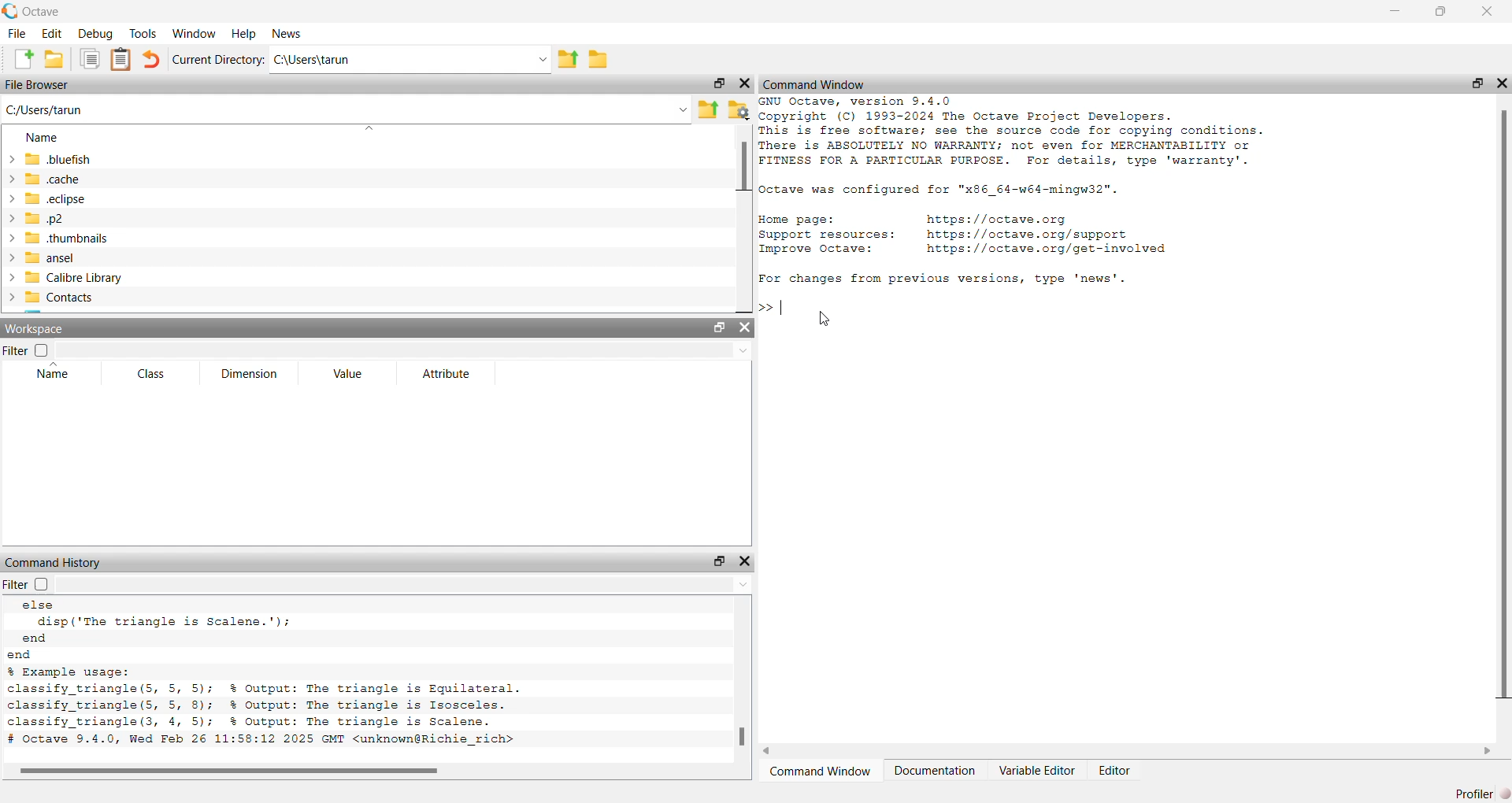 The image size is (1512, 803). I want to click on new script, so click(19, 59).